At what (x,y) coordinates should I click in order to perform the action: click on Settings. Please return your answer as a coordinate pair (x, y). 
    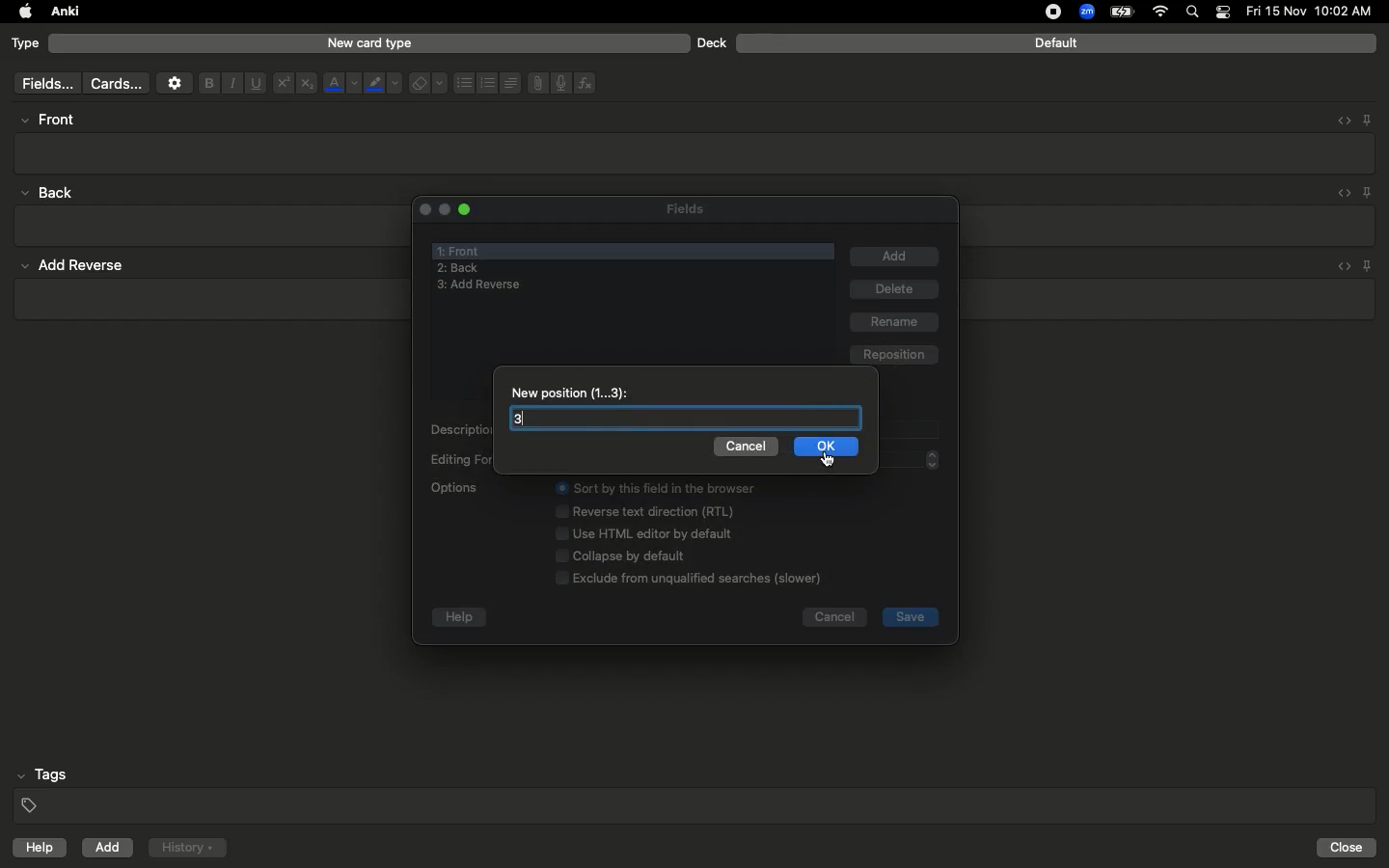
    Looking at the image, I should click on (175, 83).